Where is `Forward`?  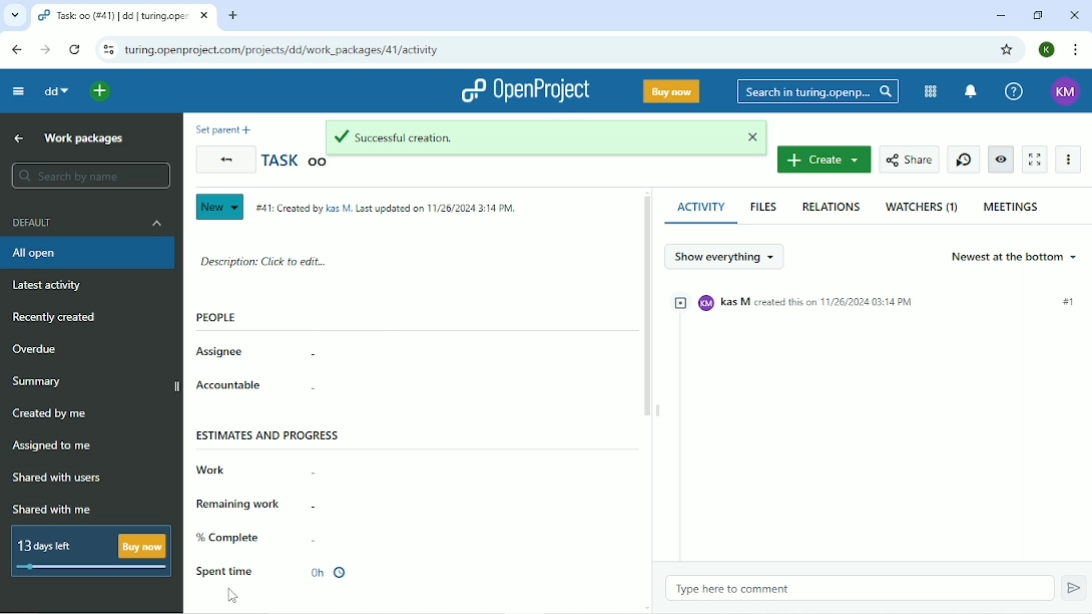 Forward is located at coordinates (45, 49).